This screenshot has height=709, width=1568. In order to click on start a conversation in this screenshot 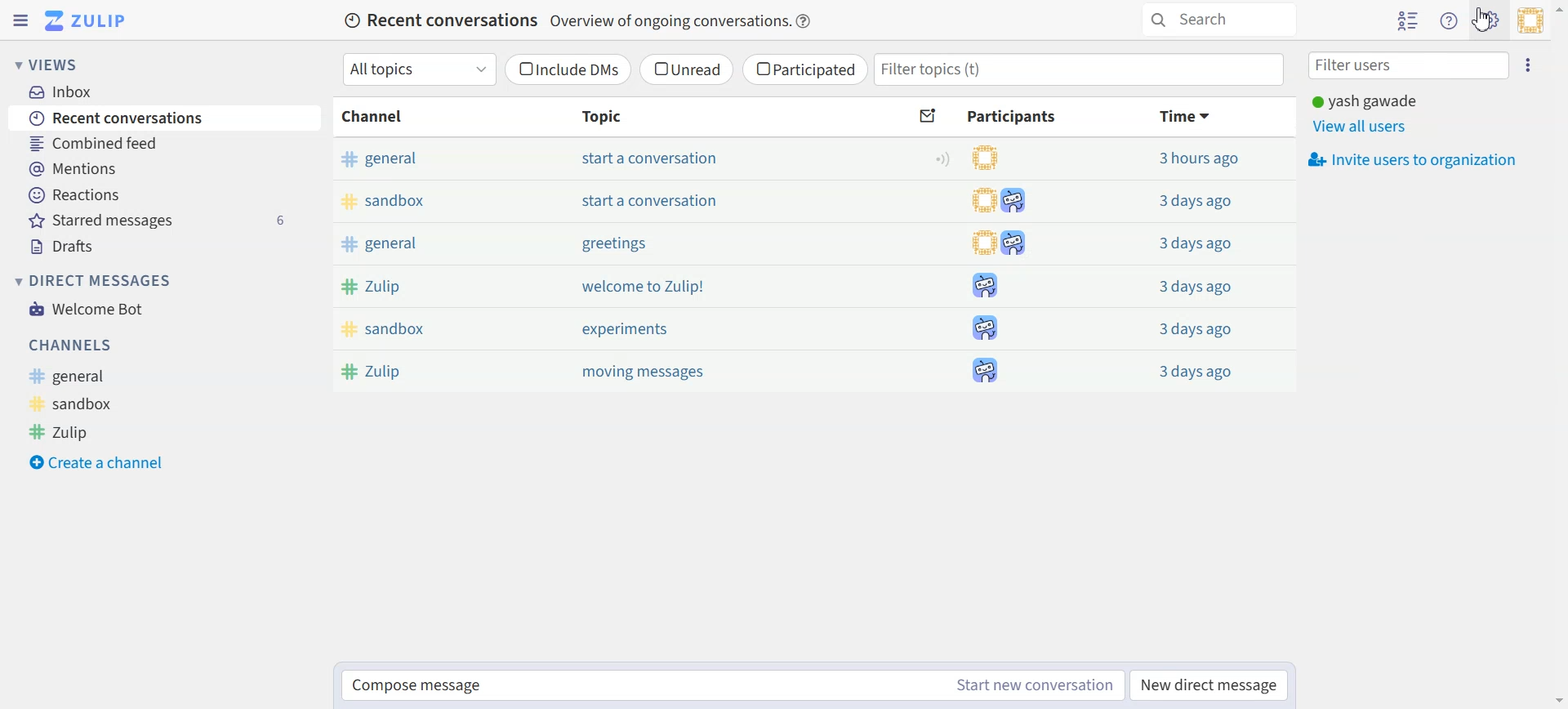, I will do `click(657, 200)`.